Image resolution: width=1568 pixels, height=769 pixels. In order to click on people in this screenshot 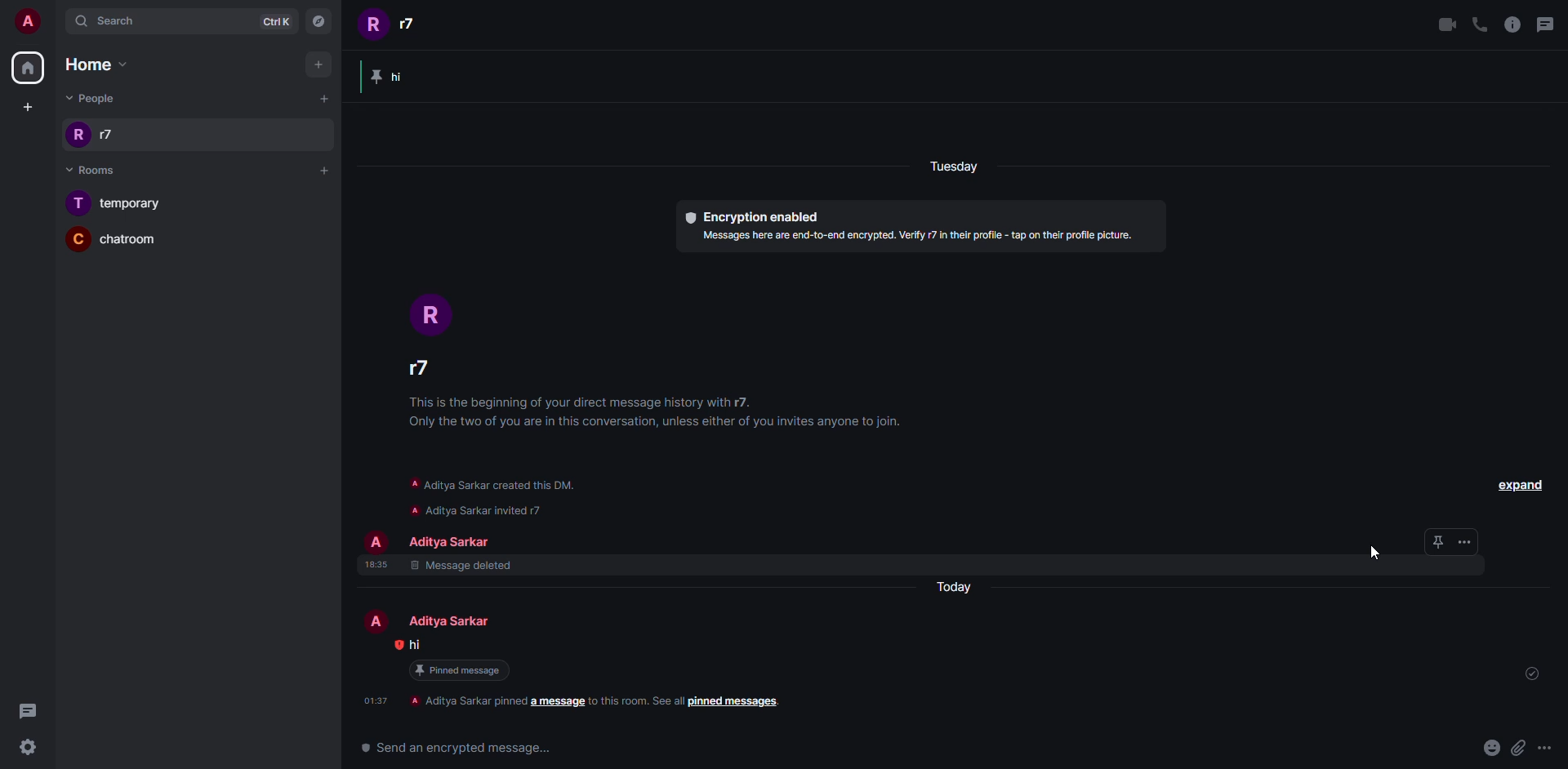, I will do `click(96, 133)`.